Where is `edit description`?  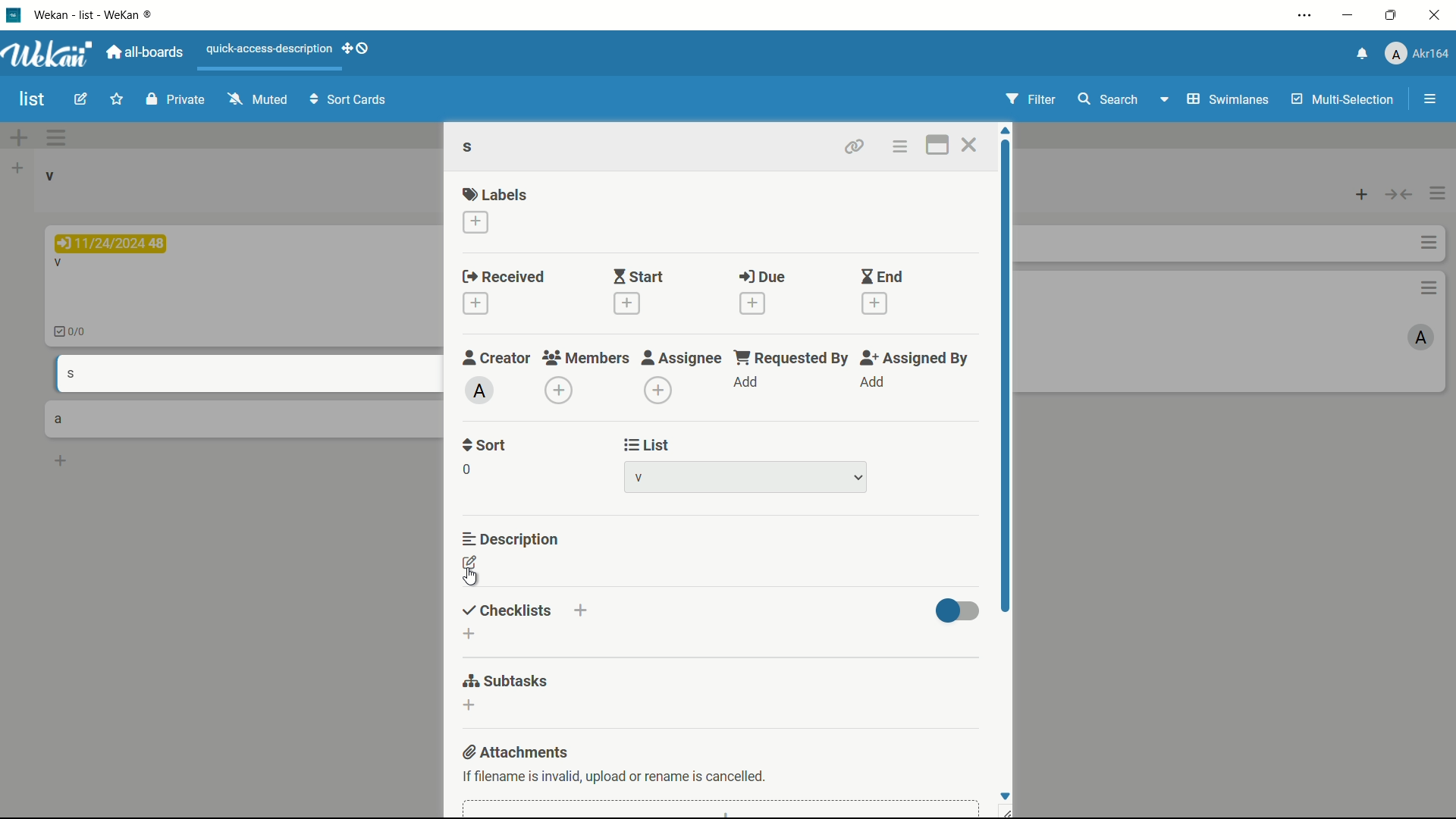
edit description is located at coordinates (471, 562).